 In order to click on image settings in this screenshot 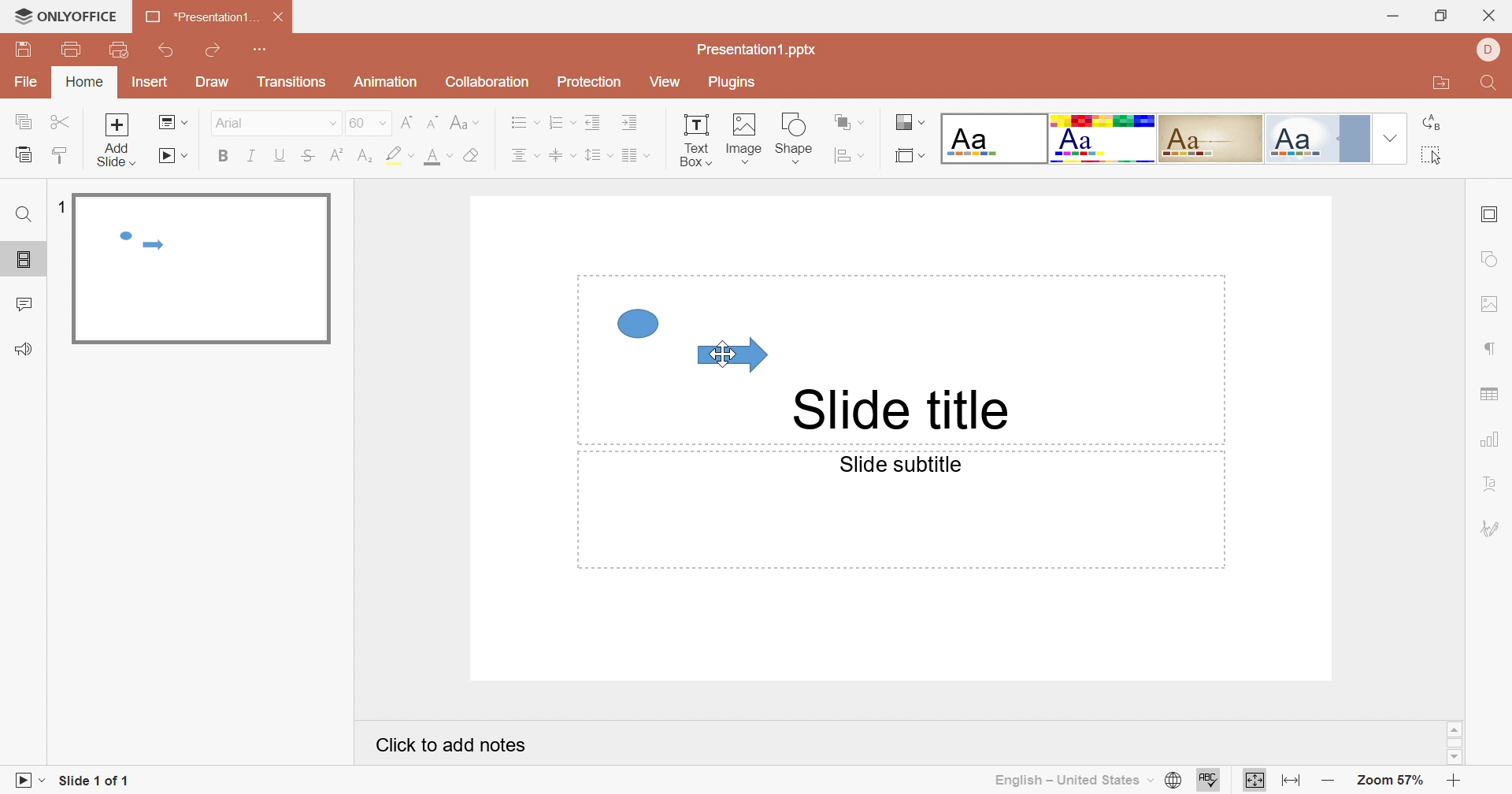, I will do `click(1490, 302)`.